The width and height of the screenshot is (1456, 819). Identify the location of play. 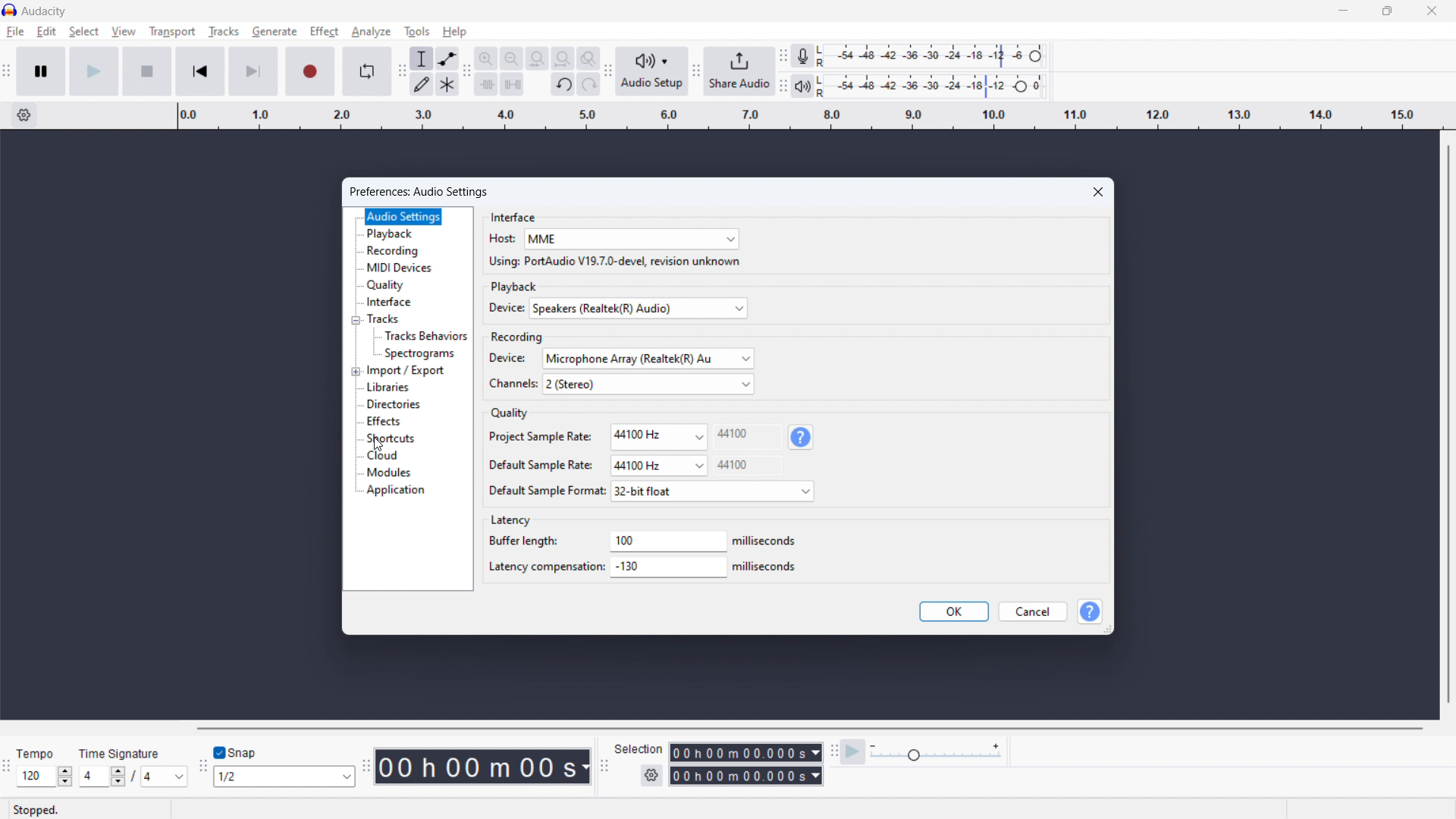
(94, 72).